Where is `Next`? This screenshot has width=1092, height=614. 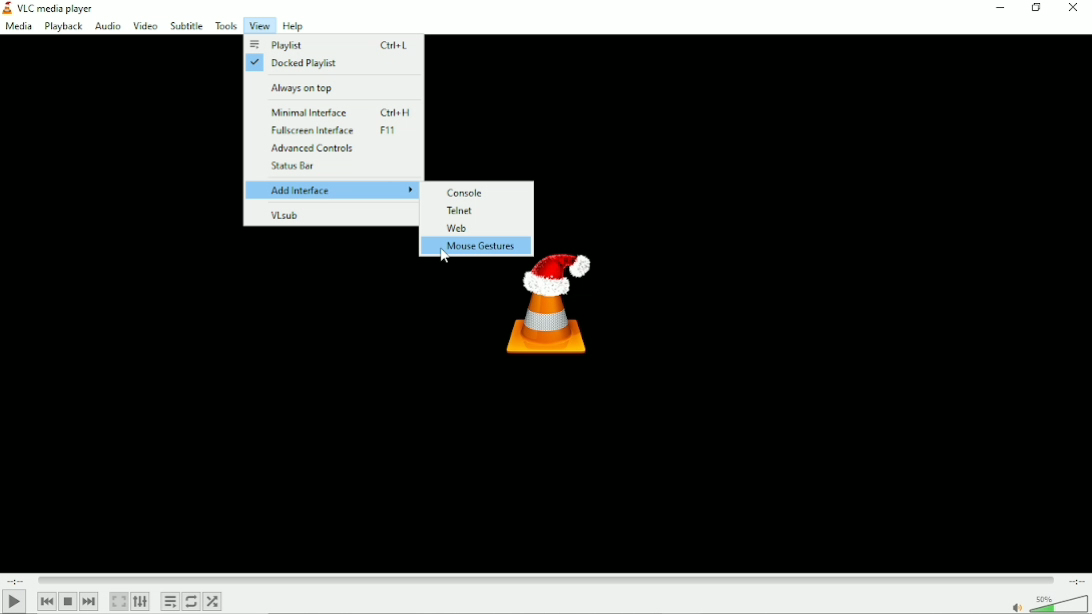 Next is located at coordinates (90, 602).